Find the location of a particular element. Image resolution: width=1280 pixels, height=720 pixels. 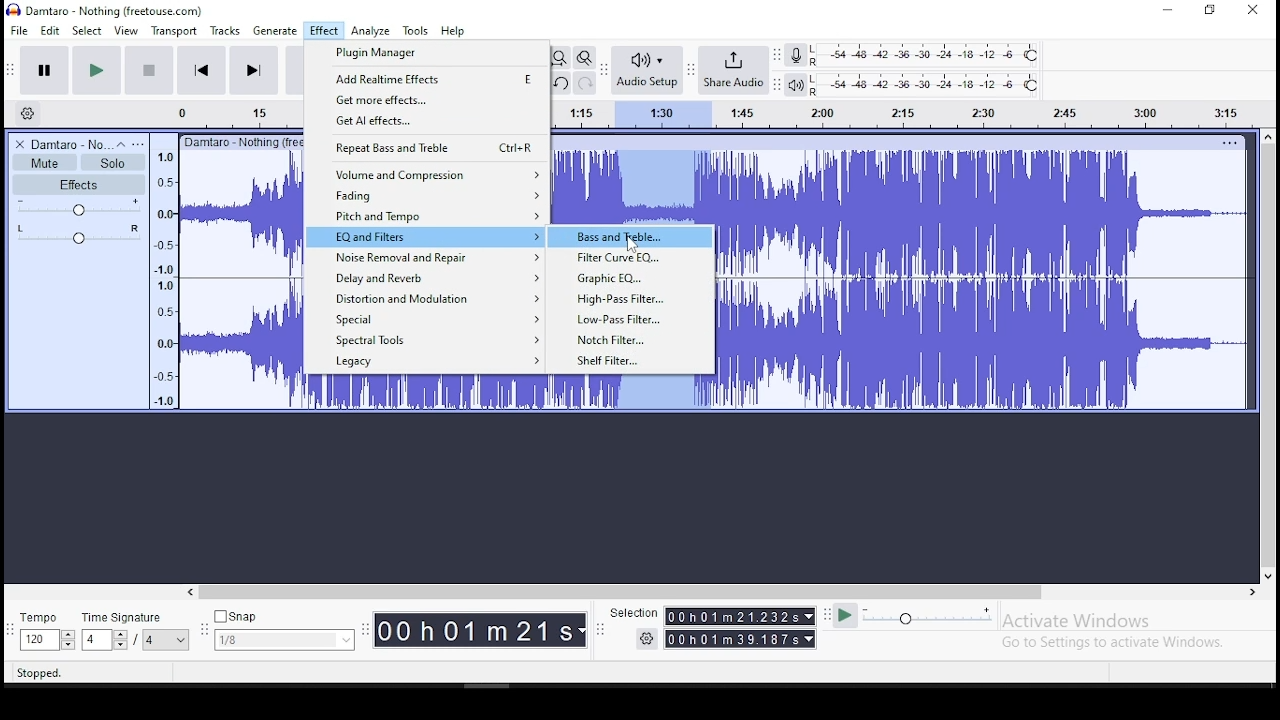

skip to start is located at coordinates (253, 69).